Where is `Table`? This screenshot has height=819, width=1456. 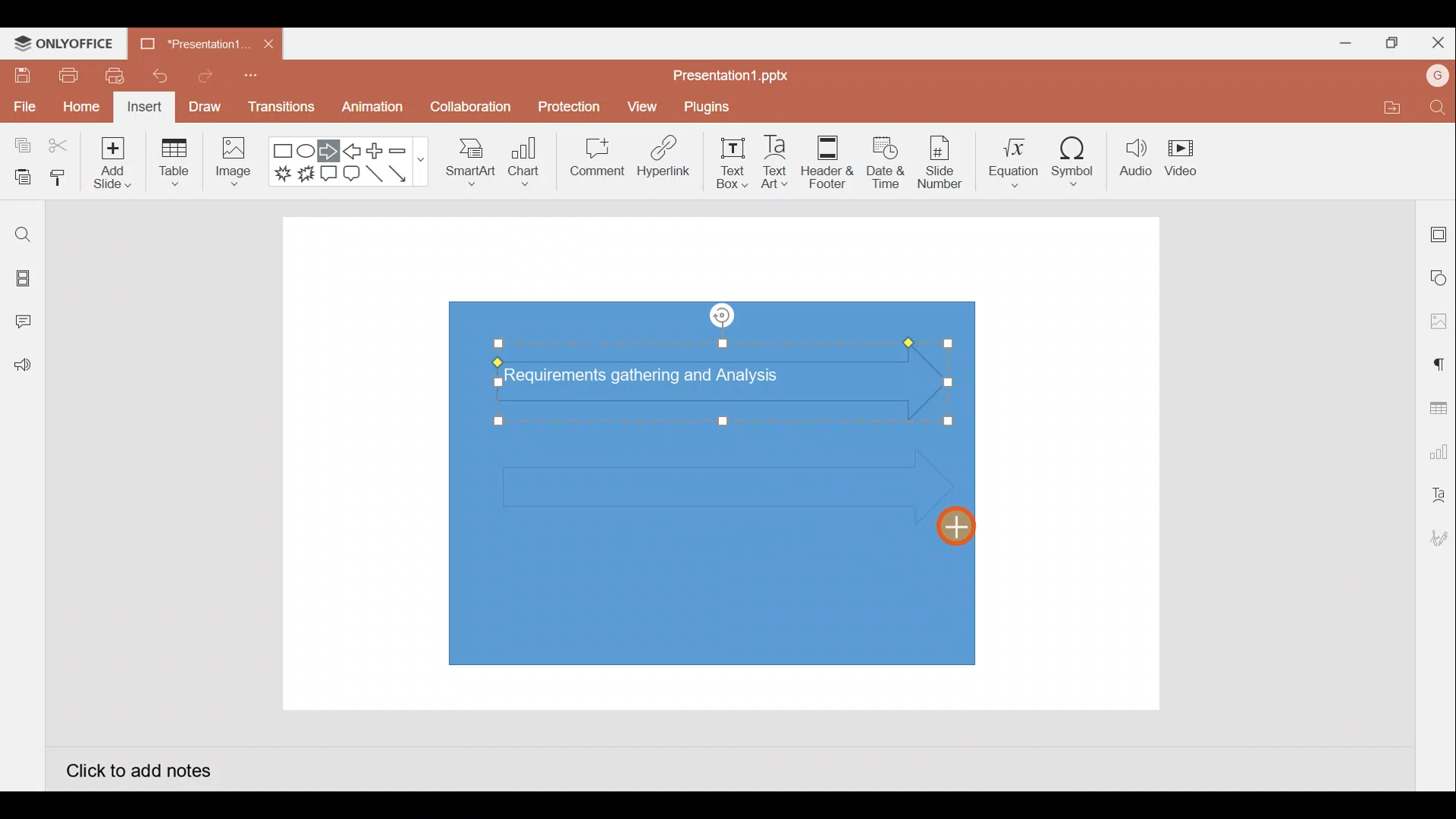 Table is located at coordinates (176, 164).